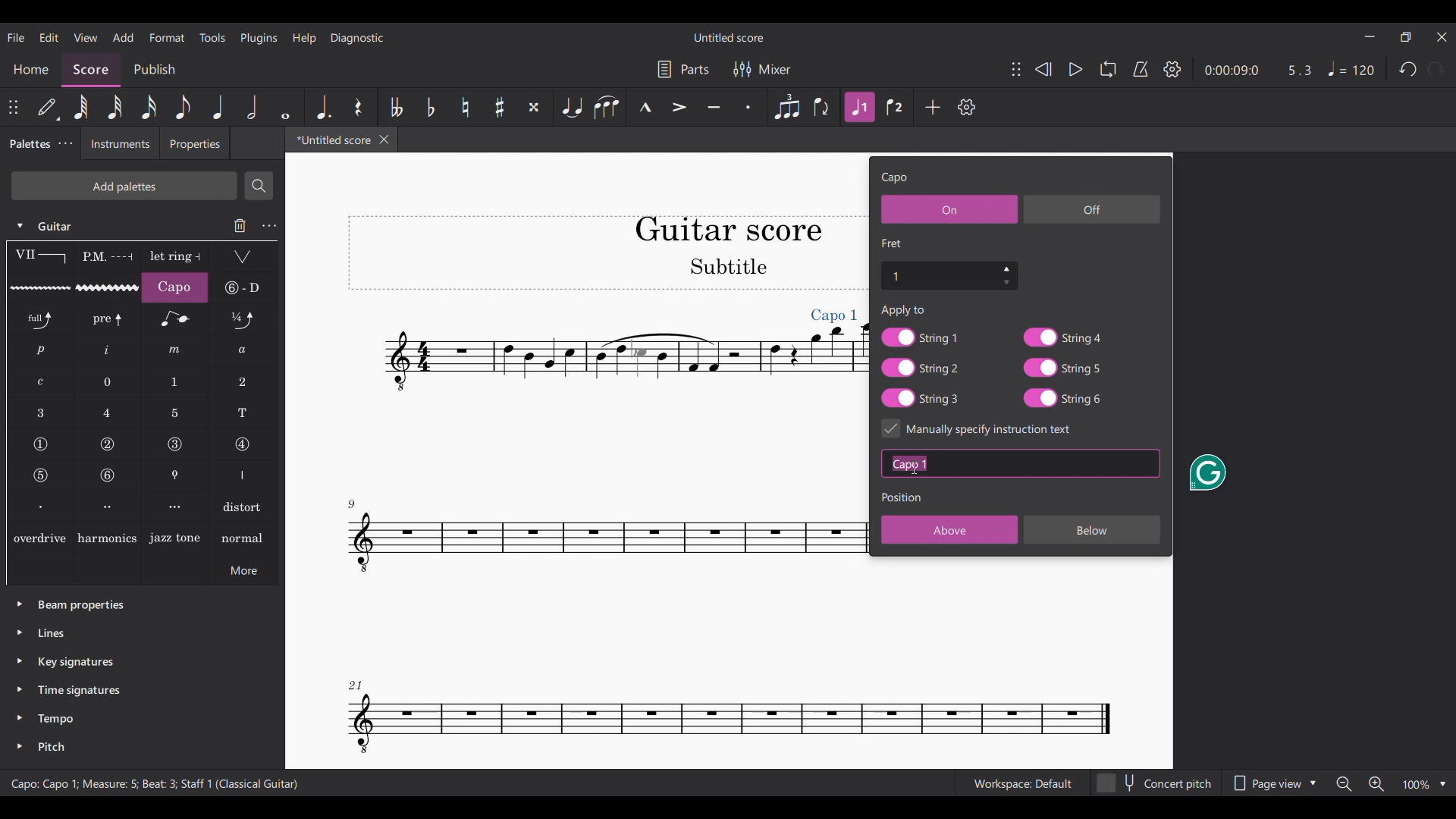  What do you see at coordinates (728, 38) in the screenshot?
I see `Score title` at bounding box center [728, 38].